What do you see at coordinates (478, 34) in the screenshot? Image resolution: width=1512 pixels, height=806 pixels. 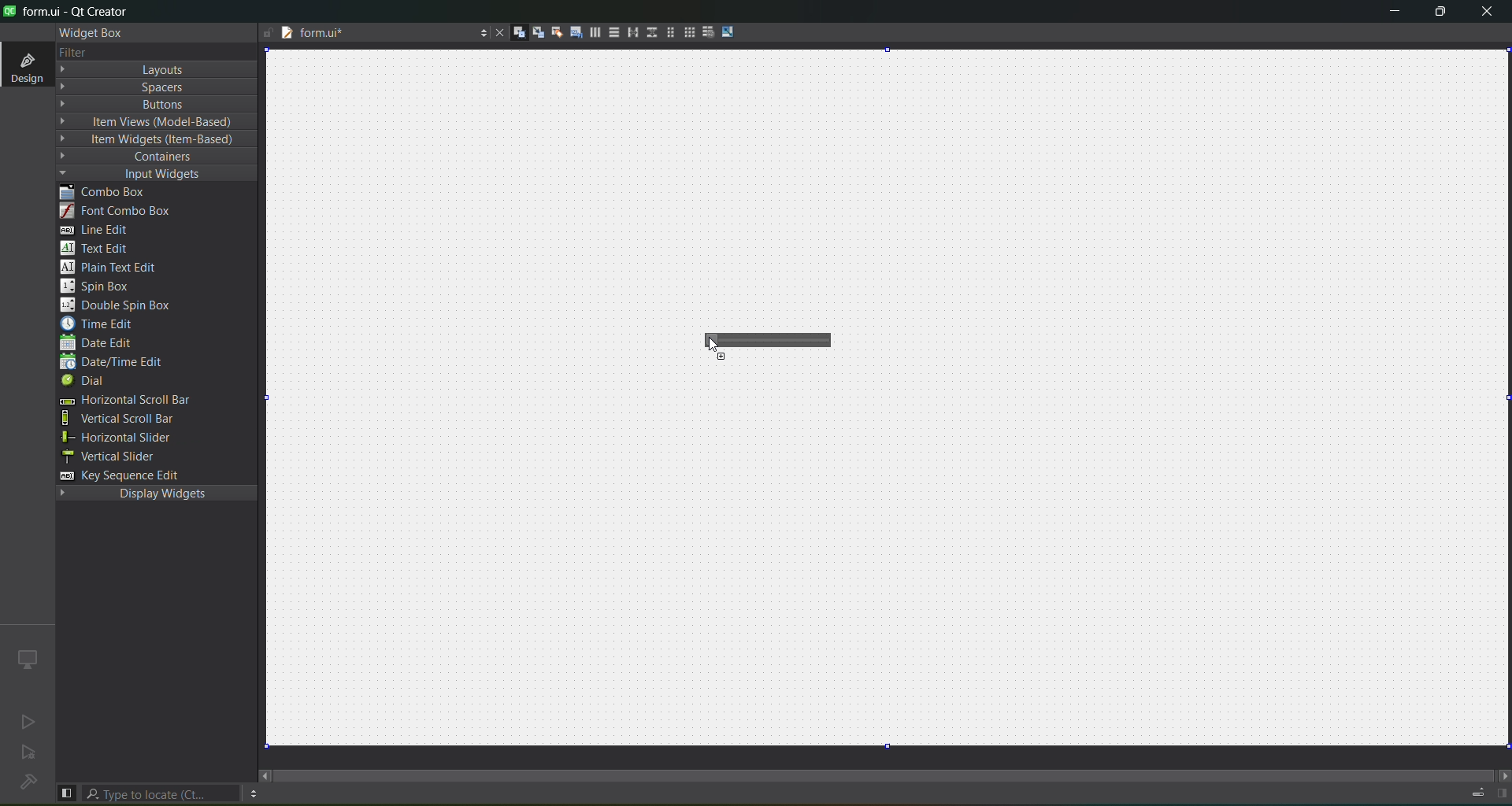 I see `options` at bounding box center [478, 34].